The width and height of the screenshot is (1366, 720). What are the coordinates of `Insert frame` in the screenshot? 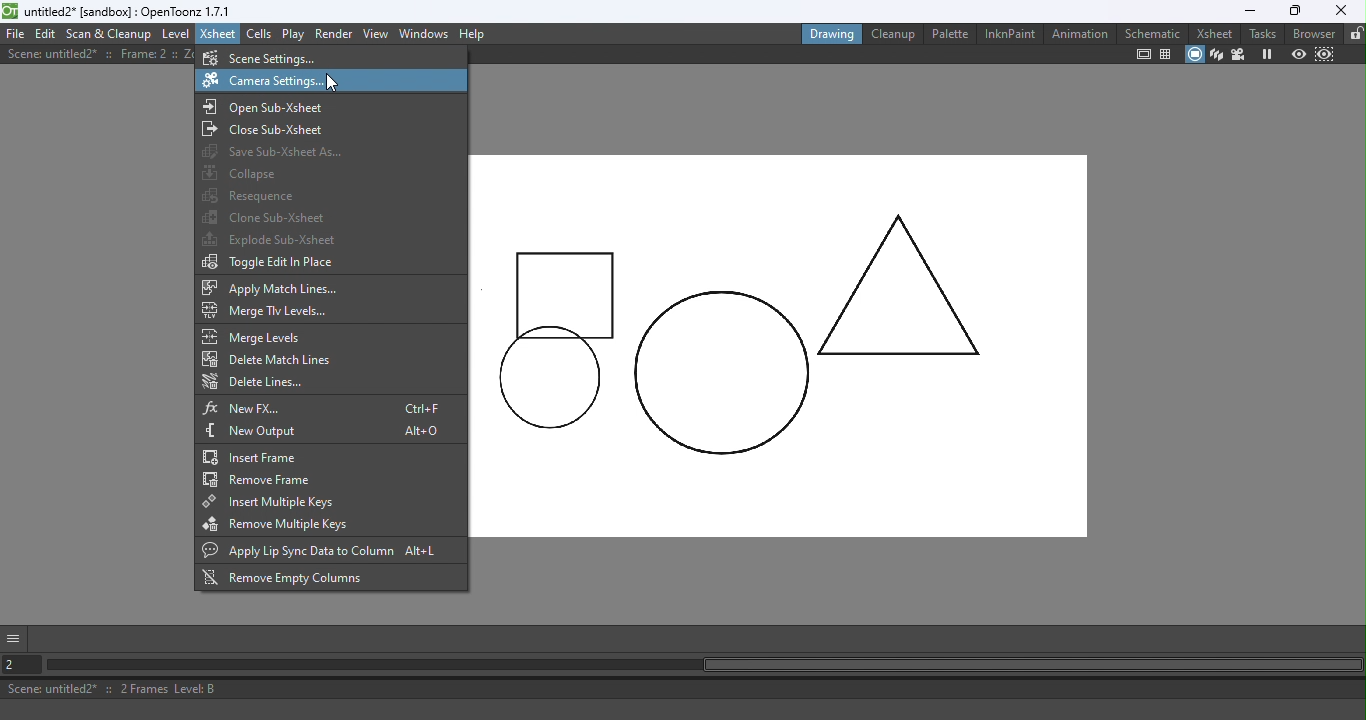 It's located at (284, 458).